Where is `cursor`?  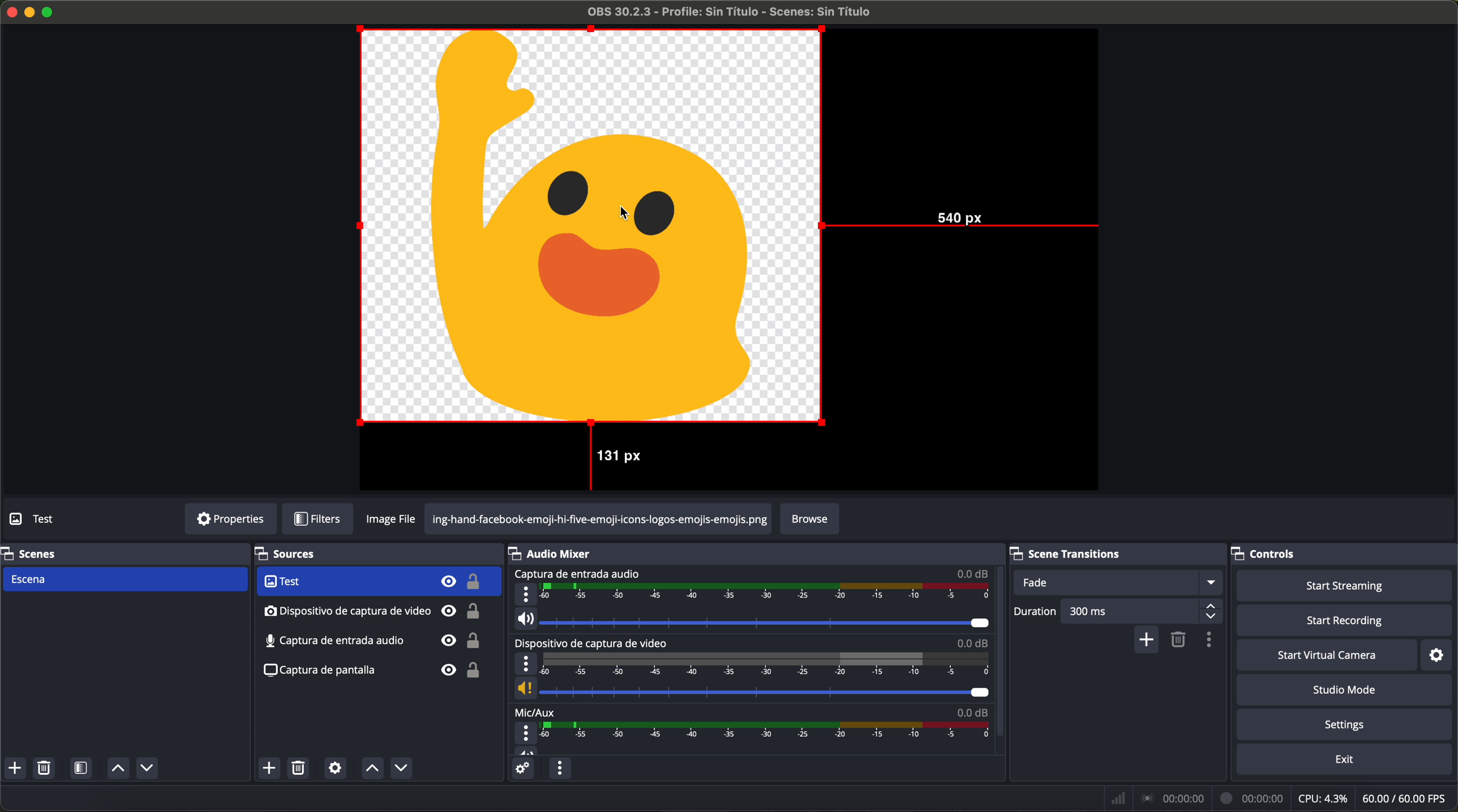 cursor is located at coordinates (631, 213).